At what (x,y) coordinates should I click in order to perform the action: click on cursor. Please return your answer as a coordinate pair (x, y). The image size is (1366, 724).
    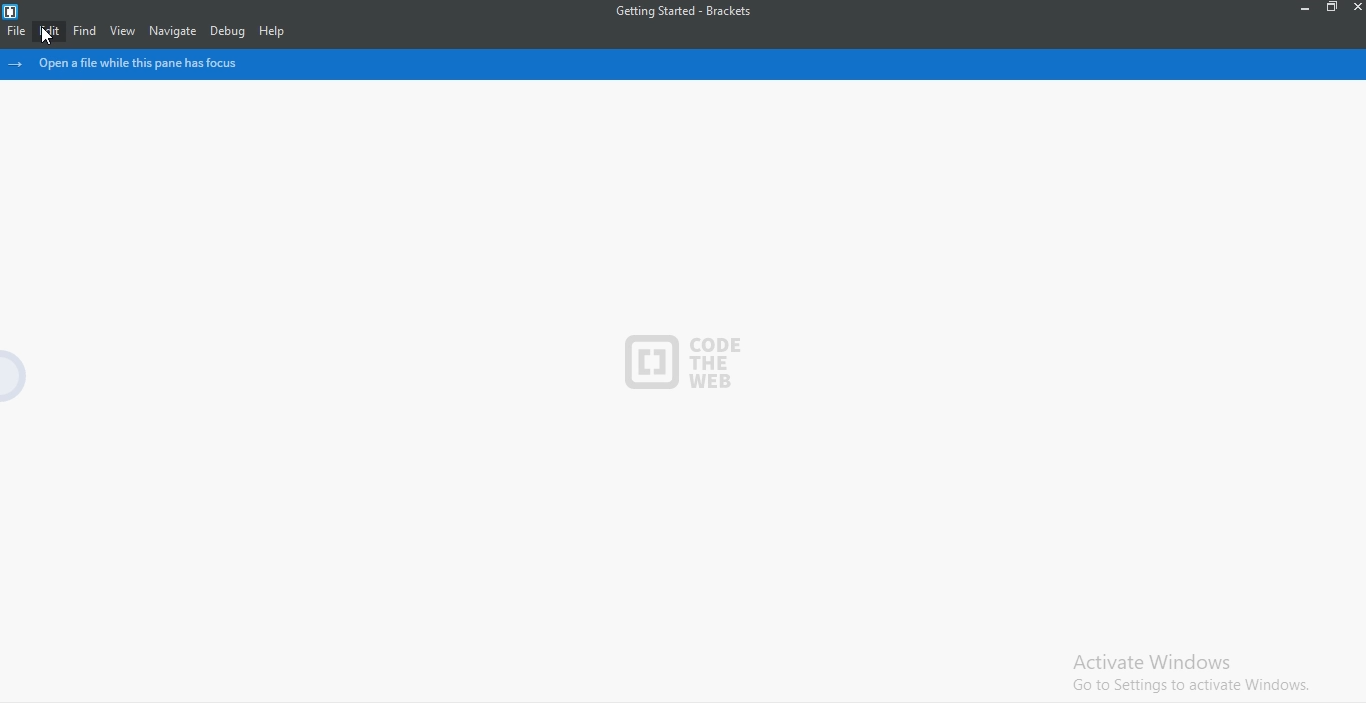
    Looking at the image, I should click on (48, 37).